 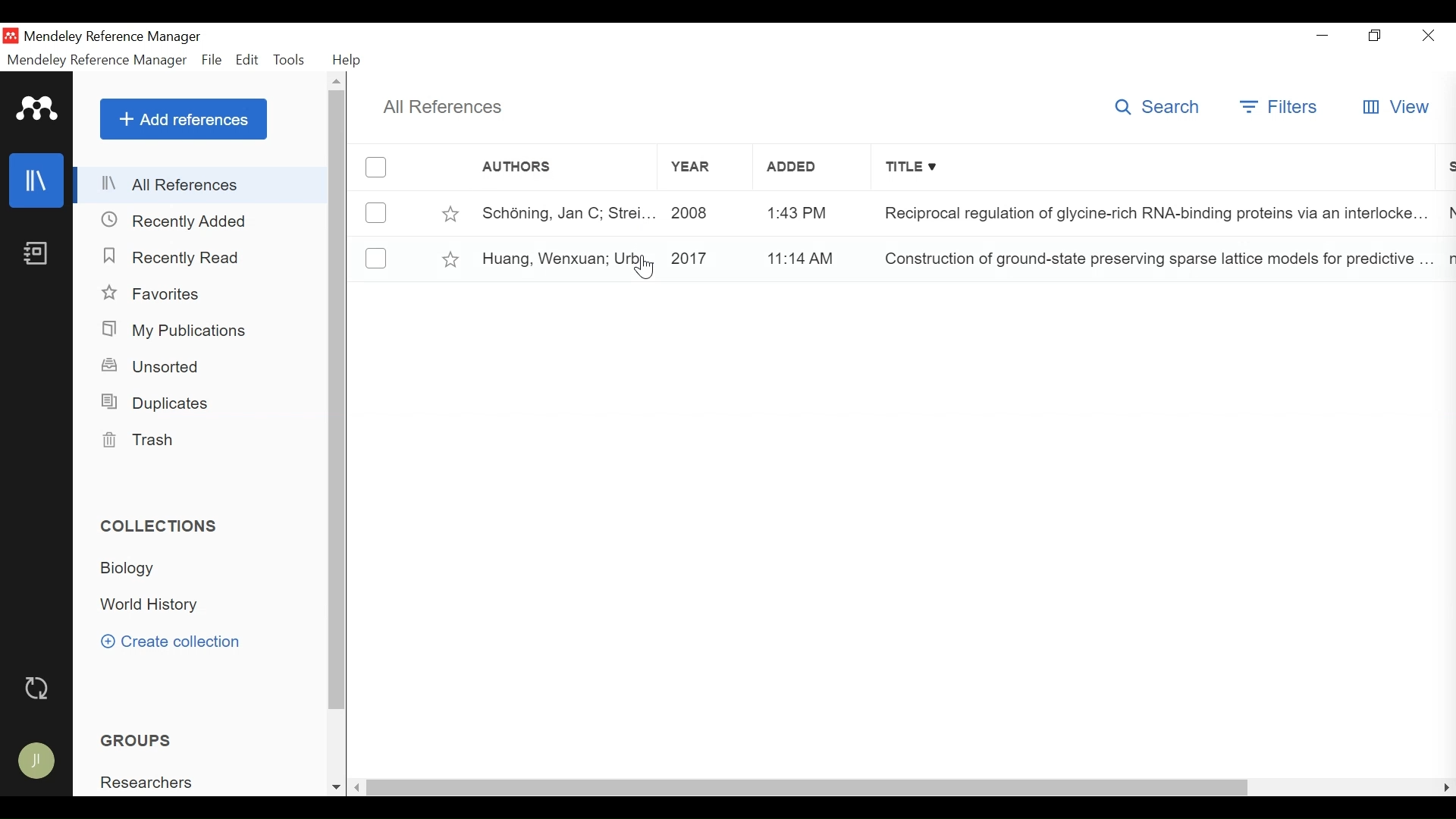 What do you see at coordinates (645, 267) in the screenshot?
I see `Cursor` at bounding box center [645, 267].